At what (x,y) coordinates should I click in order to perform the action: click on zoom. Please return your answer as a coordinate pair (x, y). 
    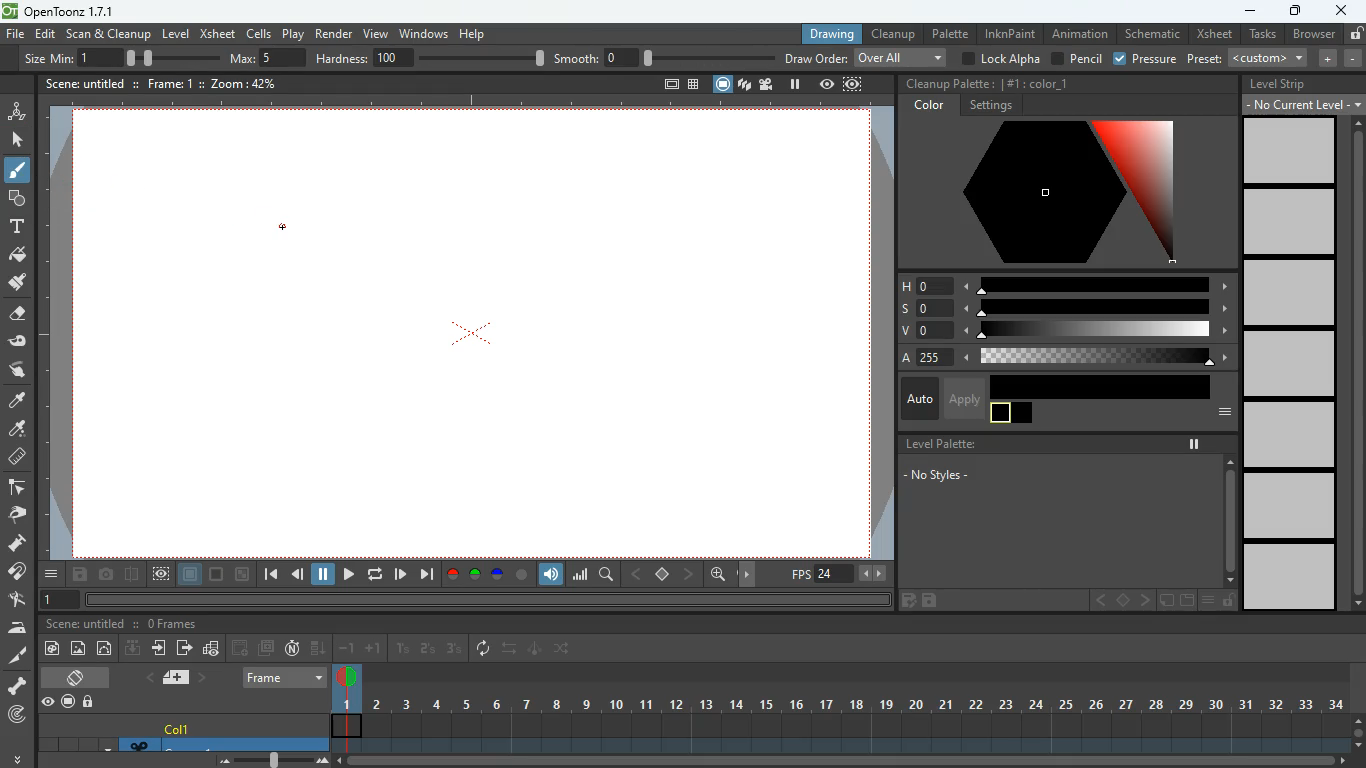
    Looking at the image, I should click on (718, 574).